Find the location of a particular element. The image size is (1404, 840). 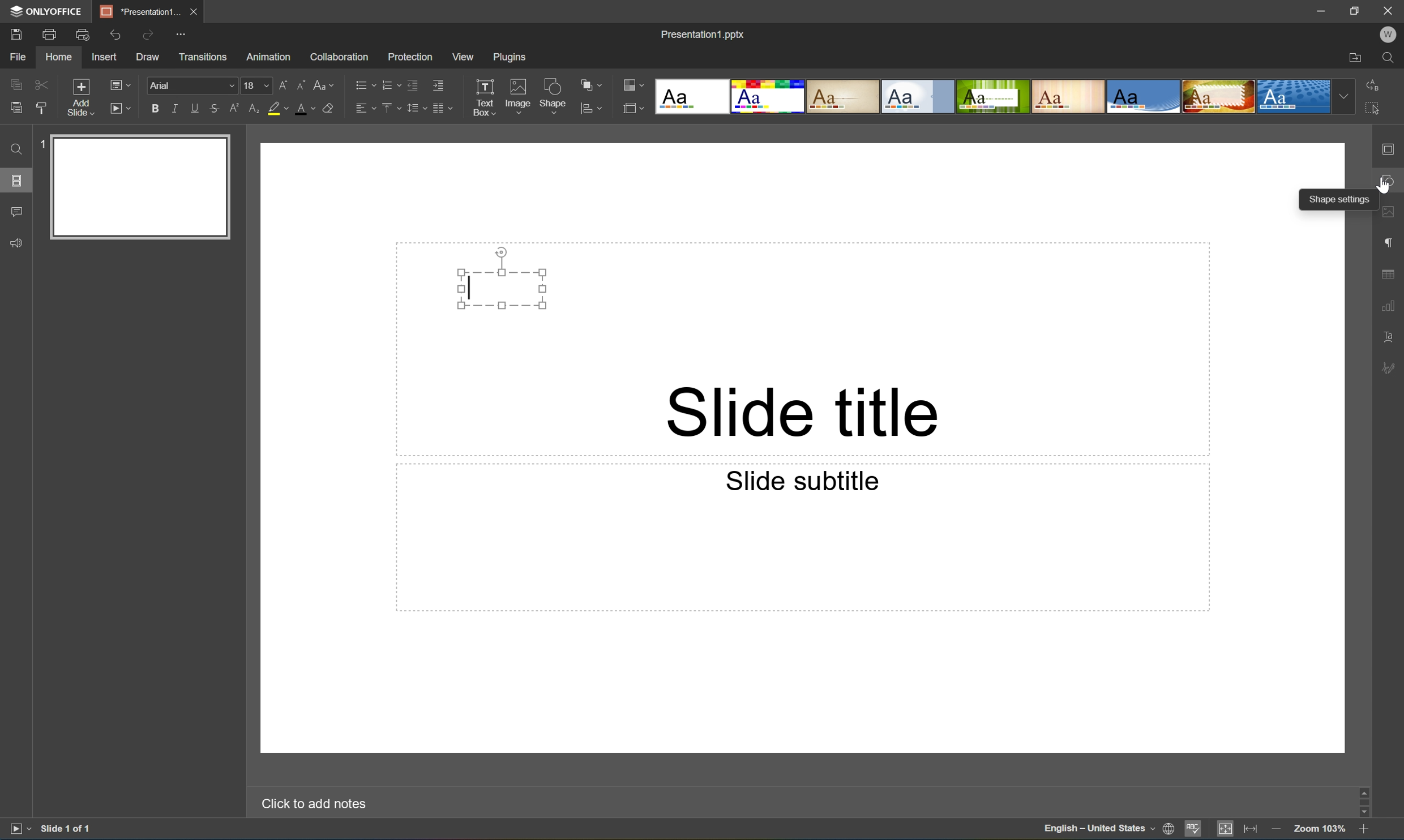

Decrement font size is located at coordinates (300, 83).